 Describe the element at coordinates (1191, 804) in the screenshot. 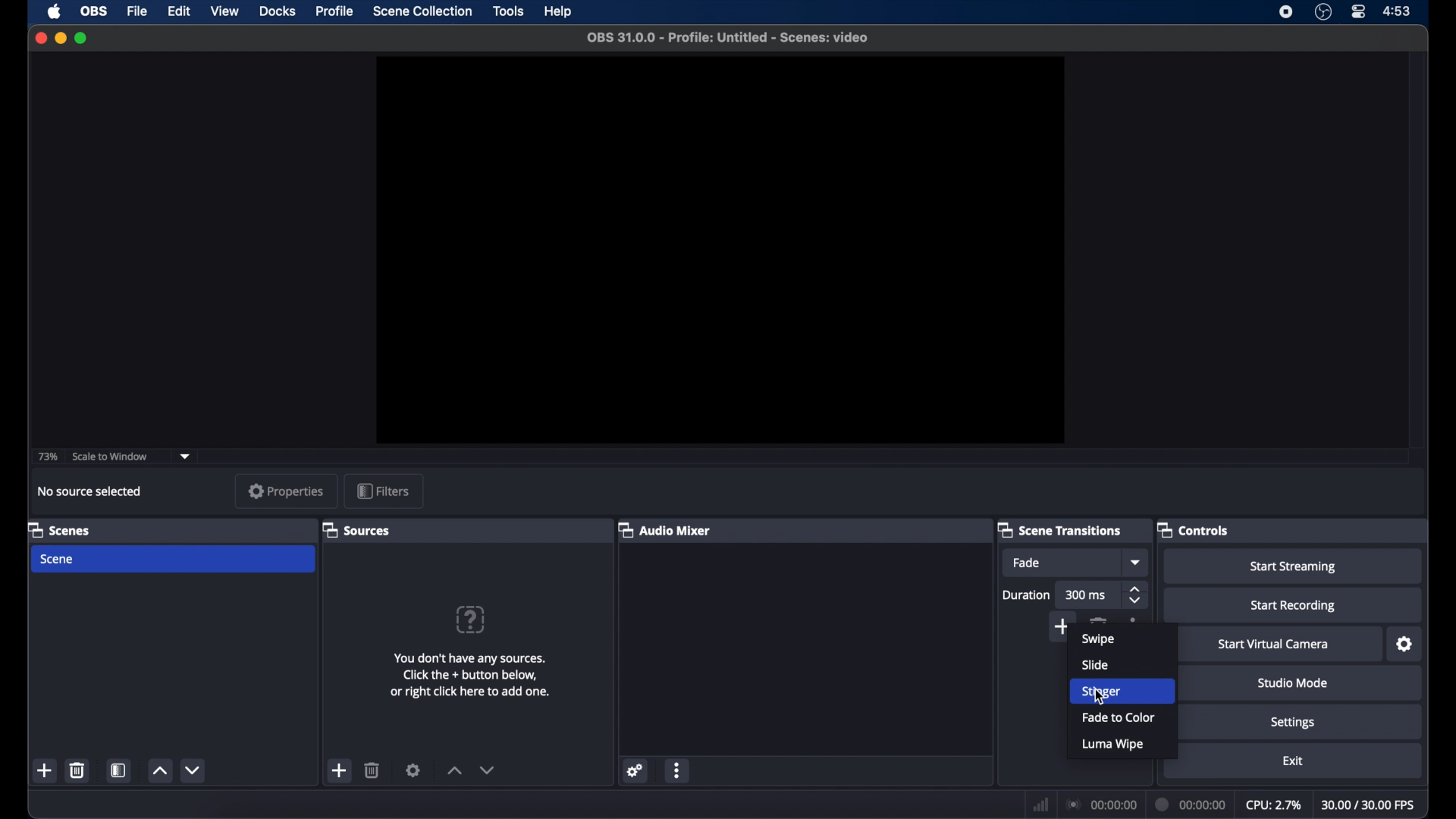

I see `duration` at that location.